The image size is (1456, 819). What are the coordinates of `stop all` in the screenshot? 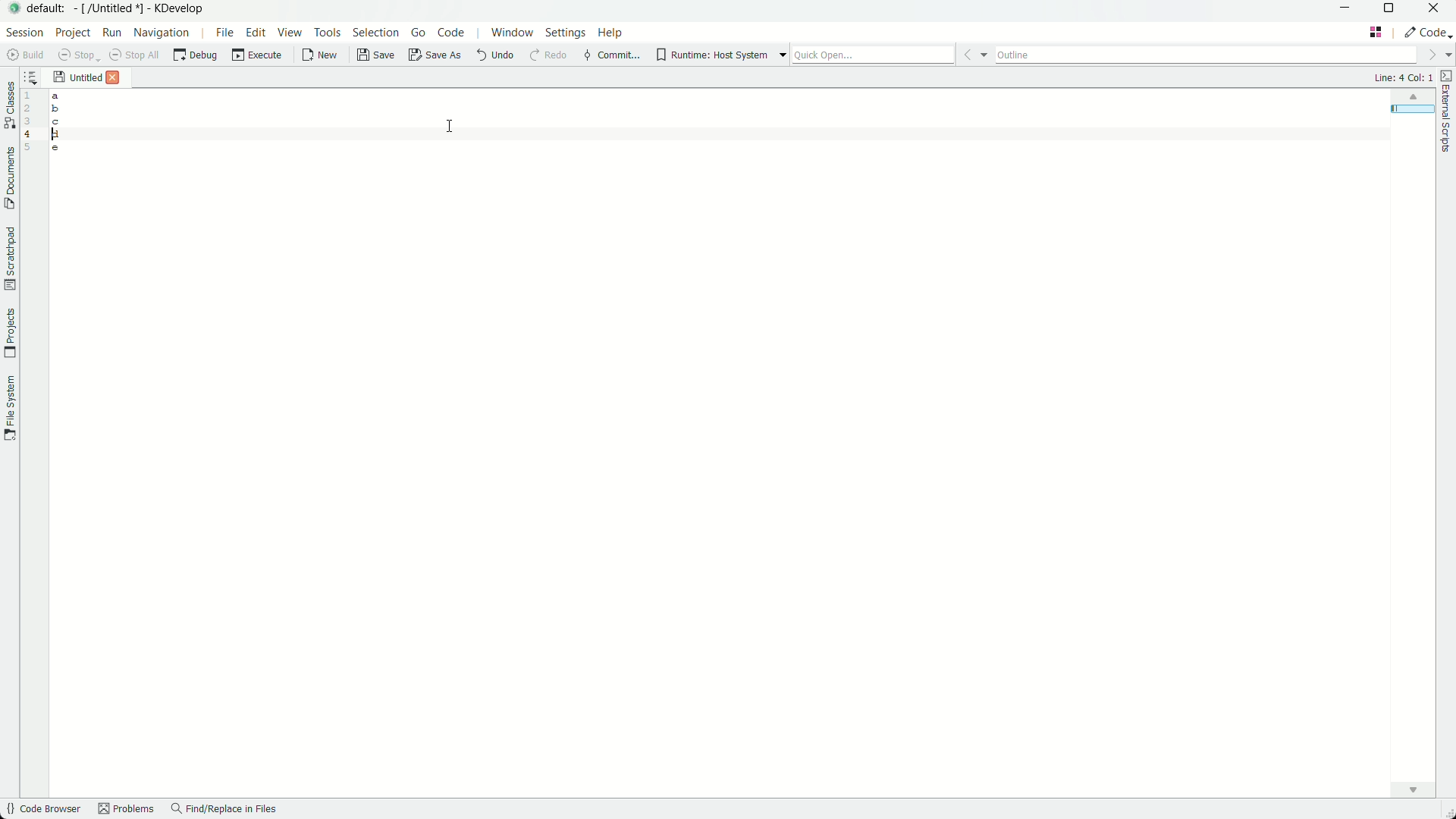 It's located at (133, 56).